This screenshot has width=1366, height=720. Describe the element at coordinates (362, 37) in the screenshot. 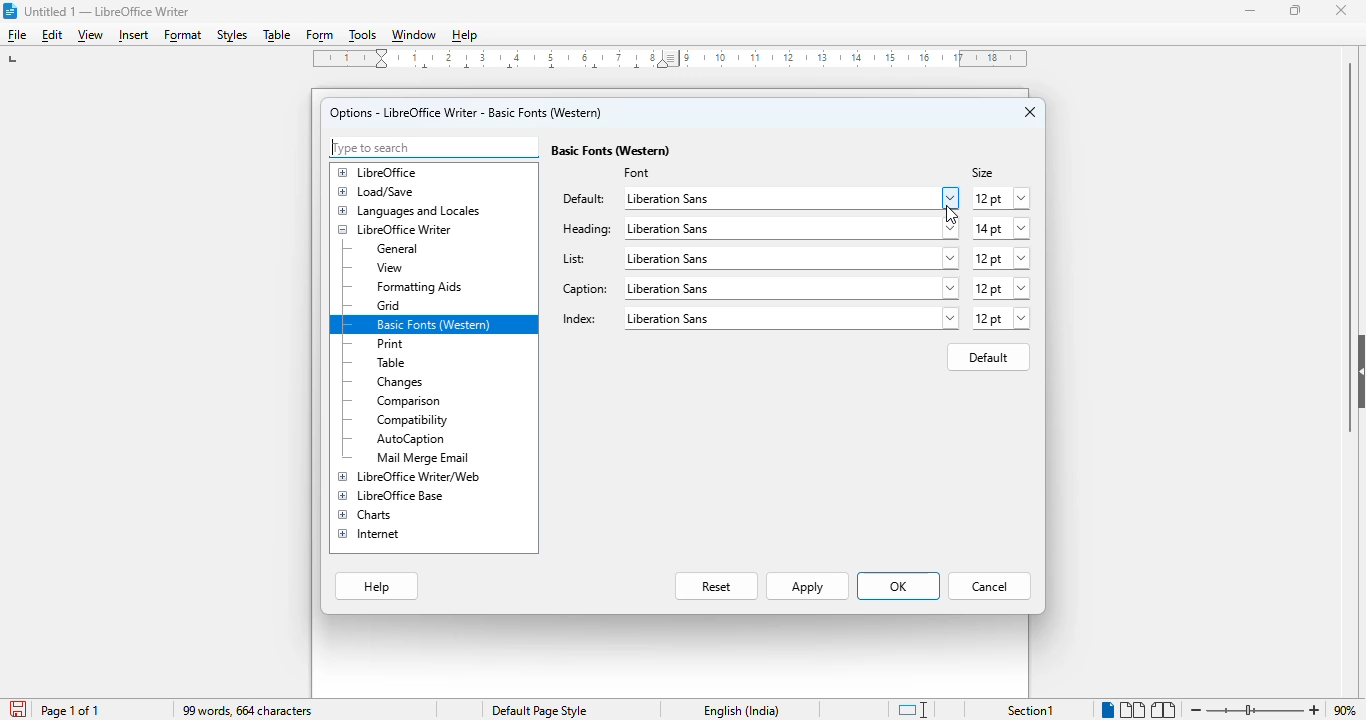

I see `tools` at that location.